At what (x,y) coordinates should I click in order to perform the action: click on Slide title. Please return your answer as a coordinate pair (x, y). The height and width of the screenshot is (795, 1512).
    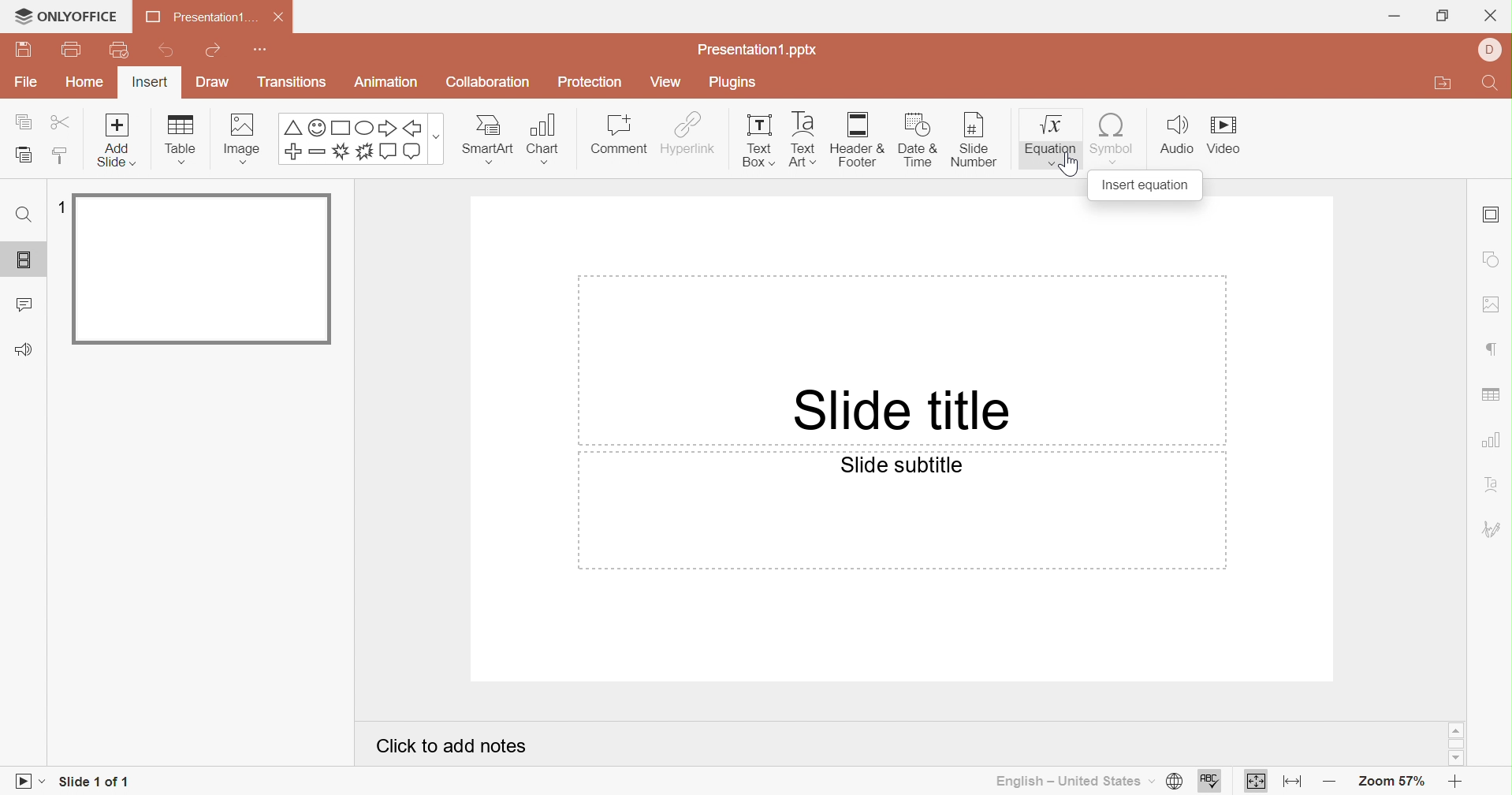
    Looking at the image, I should click on (900, 409).